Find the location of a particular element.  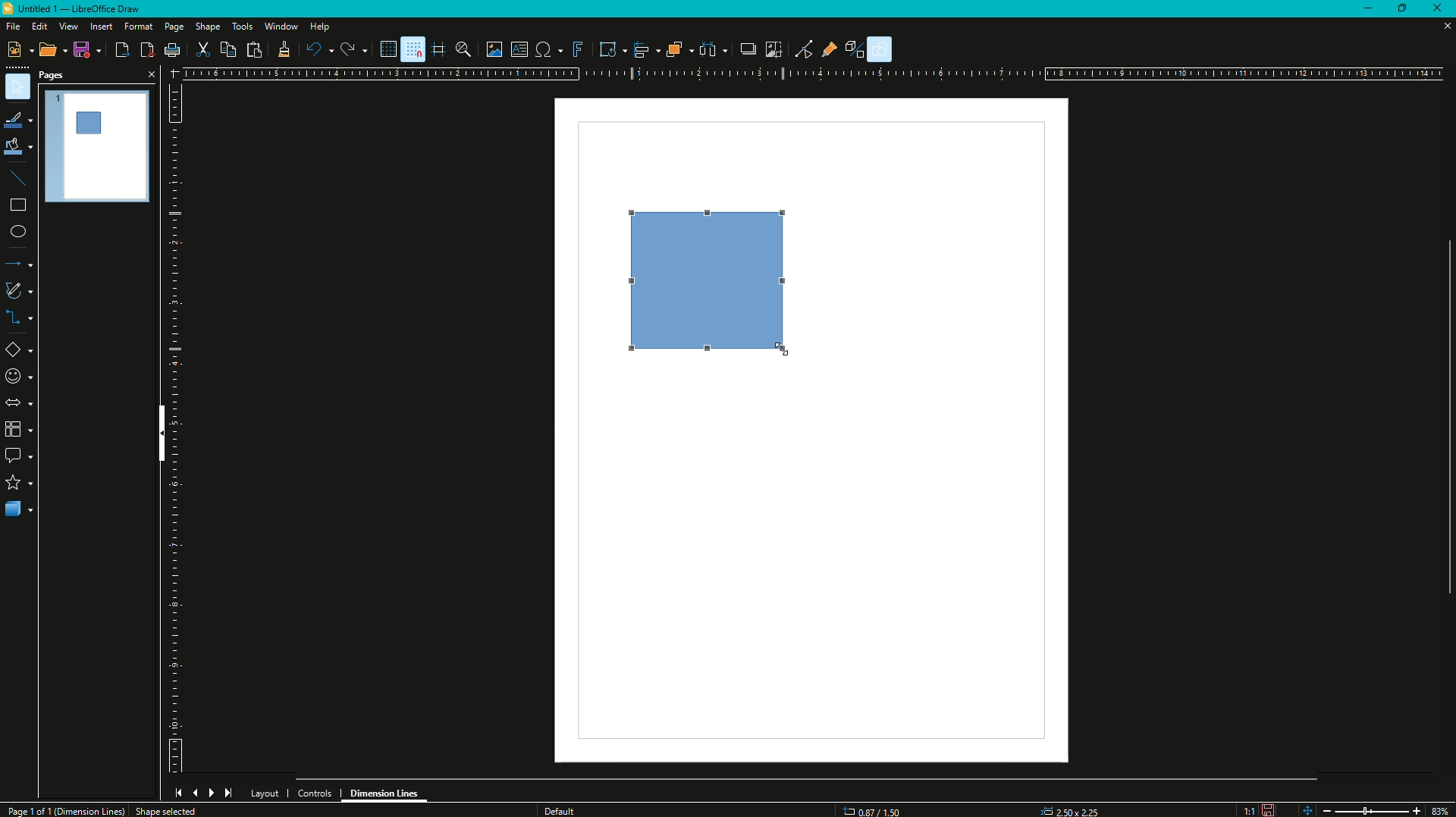

View is located at coordinates (67, 27).